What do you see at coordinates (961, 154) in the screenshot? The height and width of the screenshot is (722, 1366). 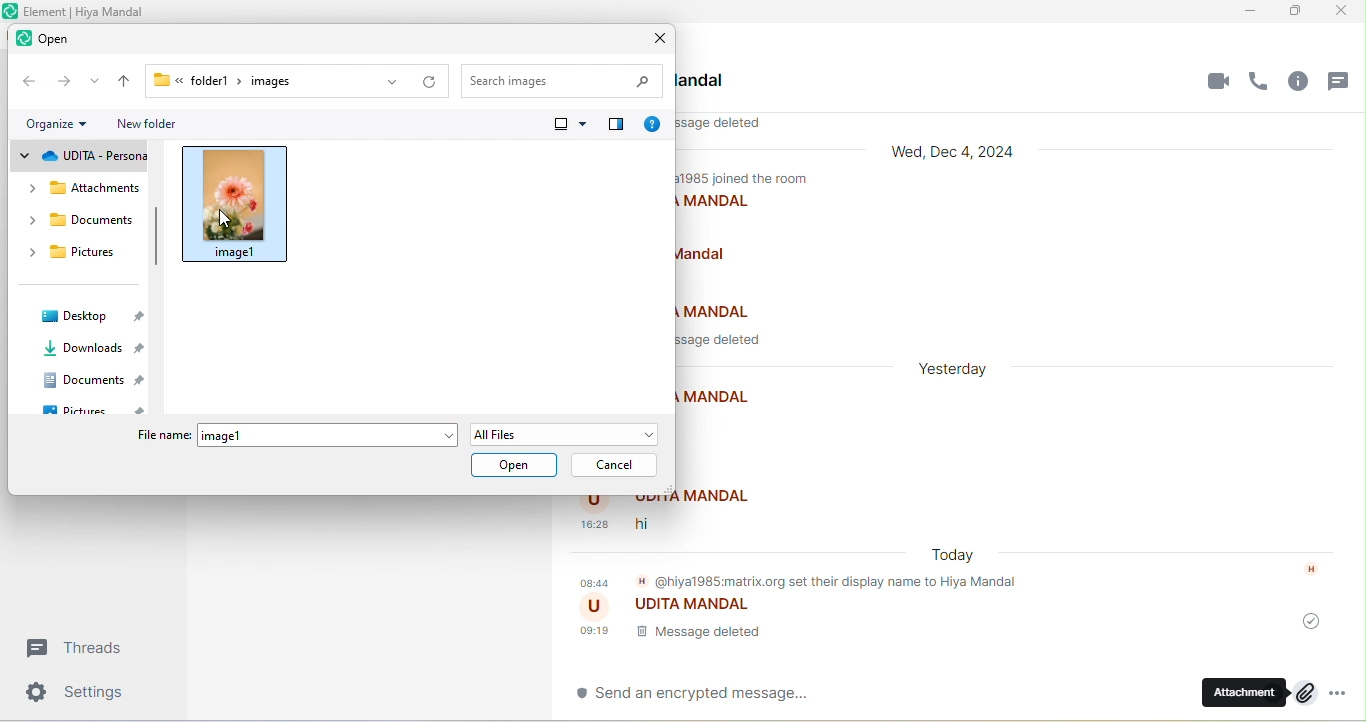 I see `wed, dec 4,2024` at bounding box center [961, 154].